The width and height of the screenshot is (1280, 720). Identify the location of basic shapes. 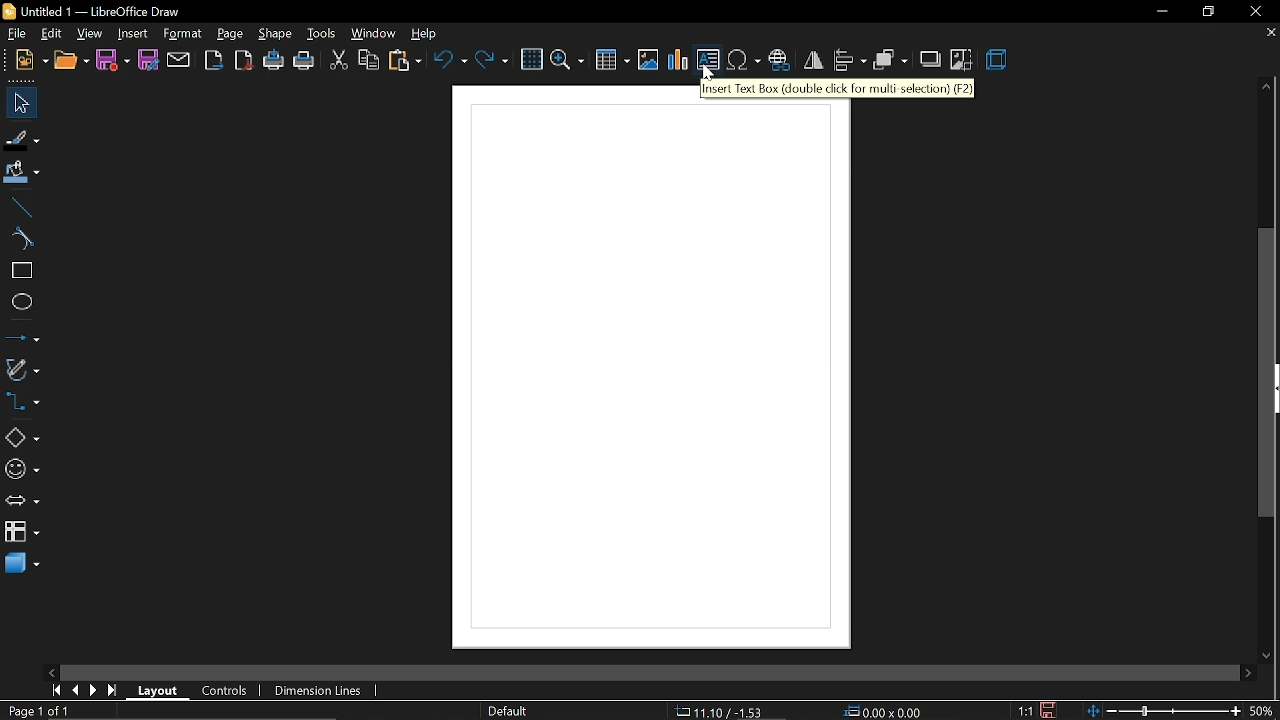
(21, 438).